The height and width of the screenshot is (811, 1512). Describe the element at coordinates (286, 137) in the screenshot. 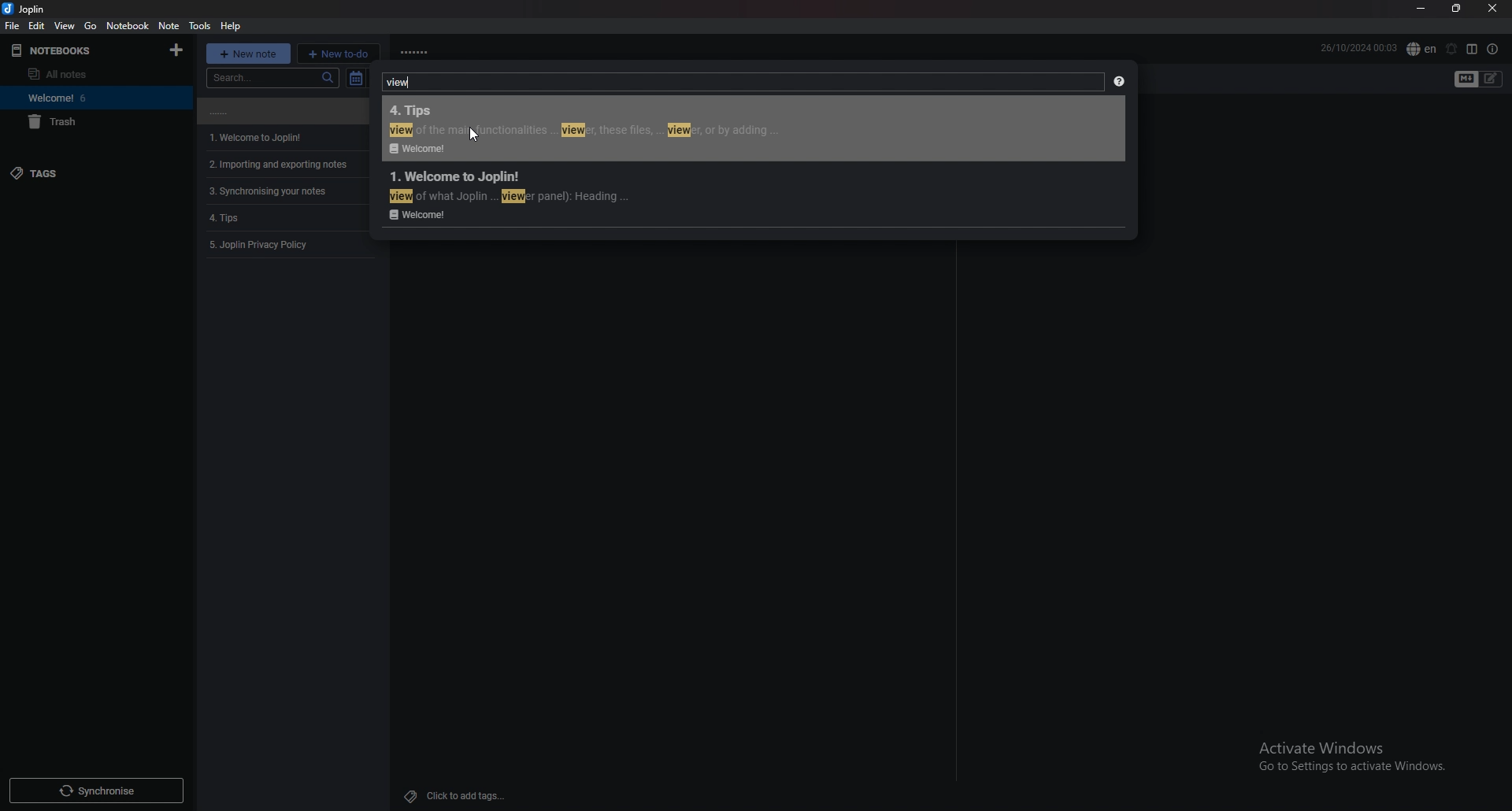

I see `note 2` at that location.